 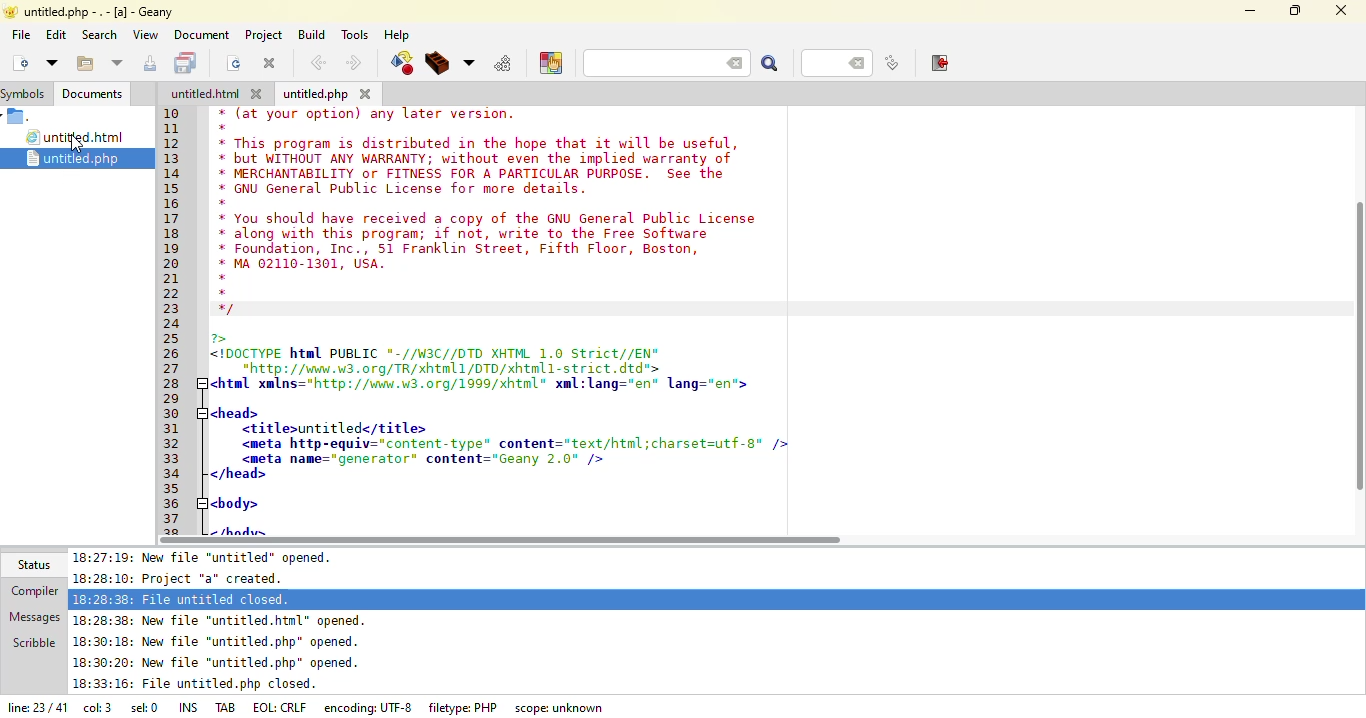 I want to click on minimize, so click(x=1251, y=11).